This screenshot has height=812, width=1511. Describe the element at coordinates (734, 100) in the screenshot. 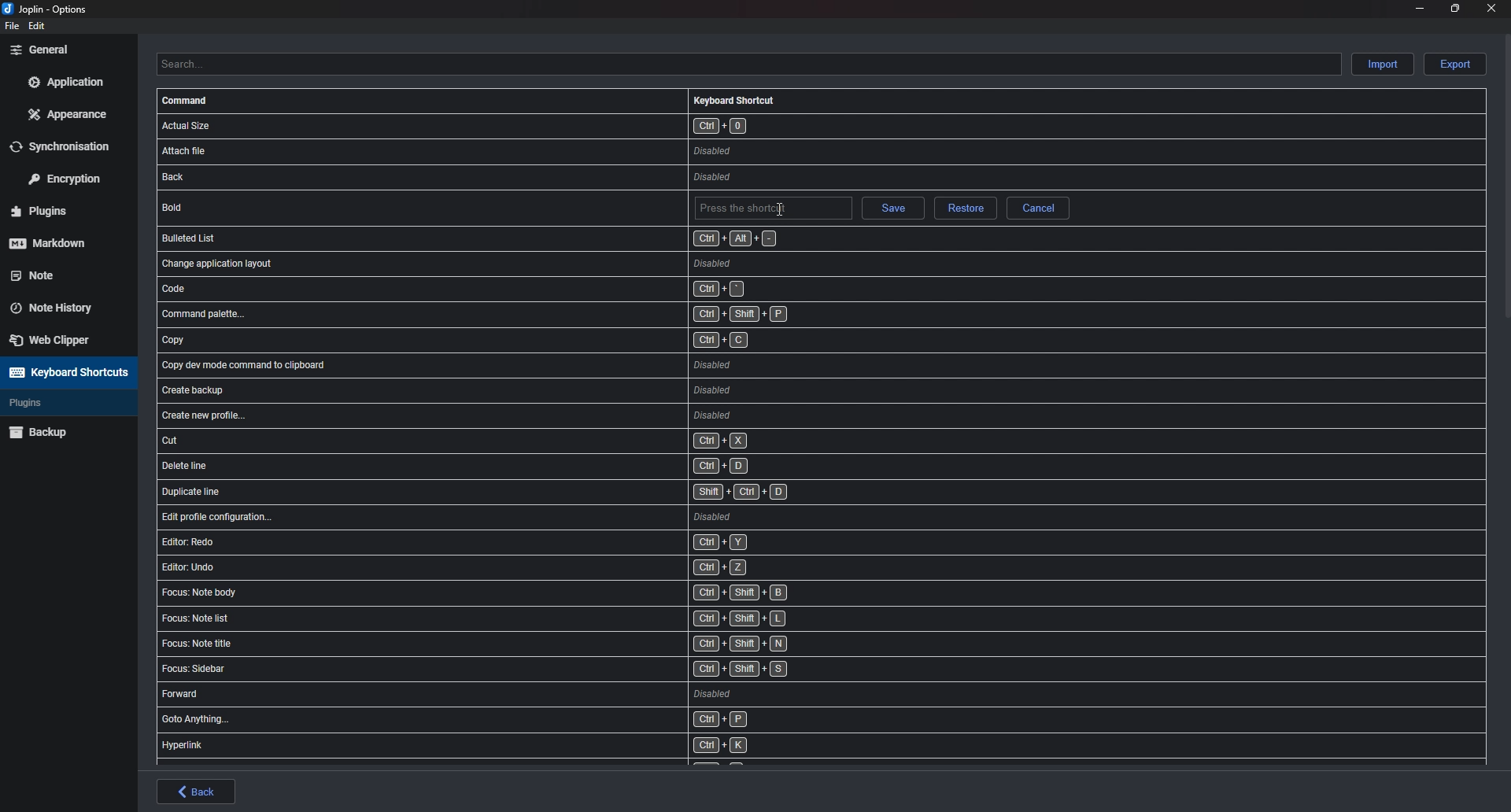

I see `Keyboard shortcut` at that location.